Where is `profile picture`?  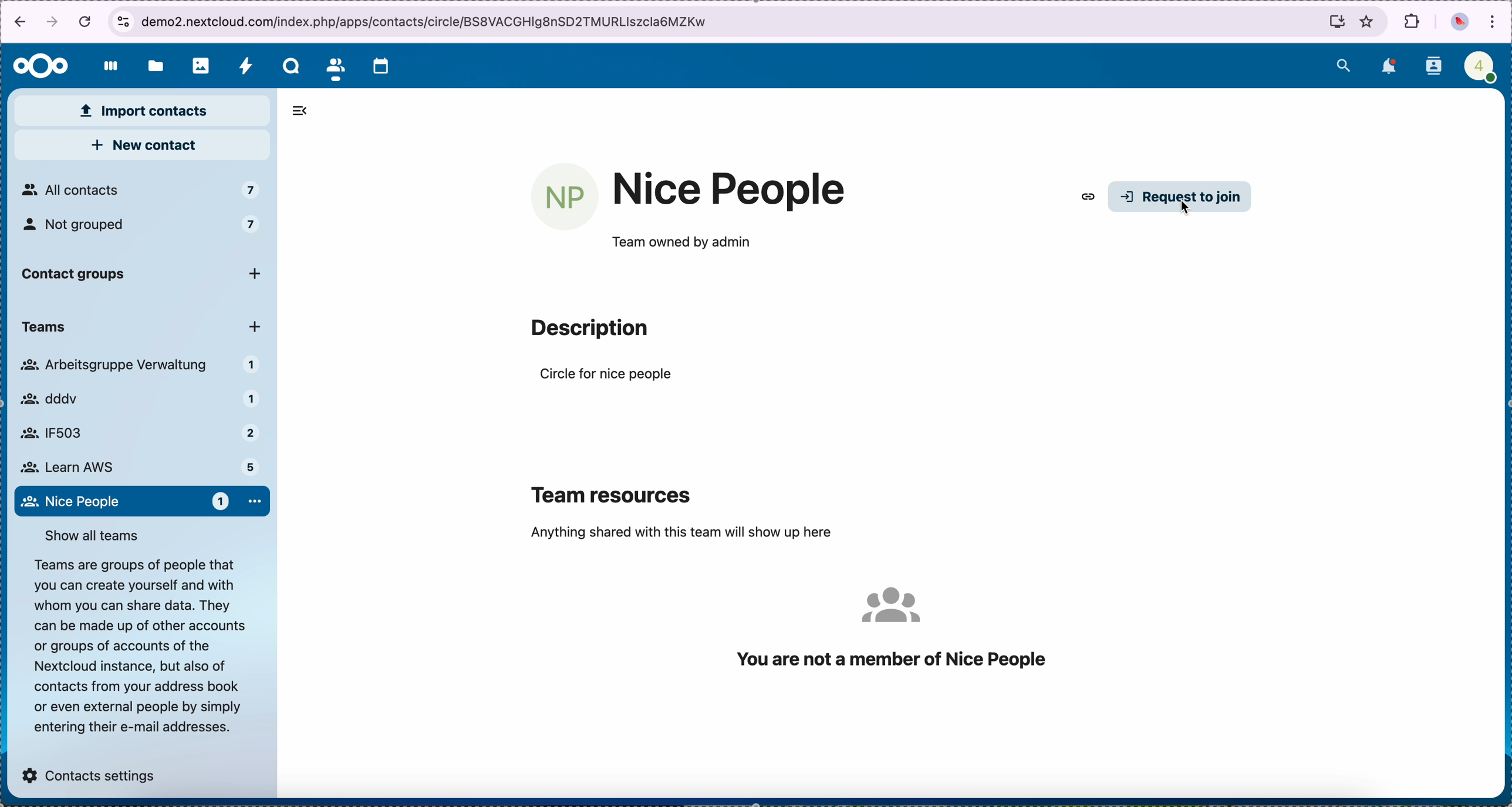 profile picture is located at coordinates (565, 197).